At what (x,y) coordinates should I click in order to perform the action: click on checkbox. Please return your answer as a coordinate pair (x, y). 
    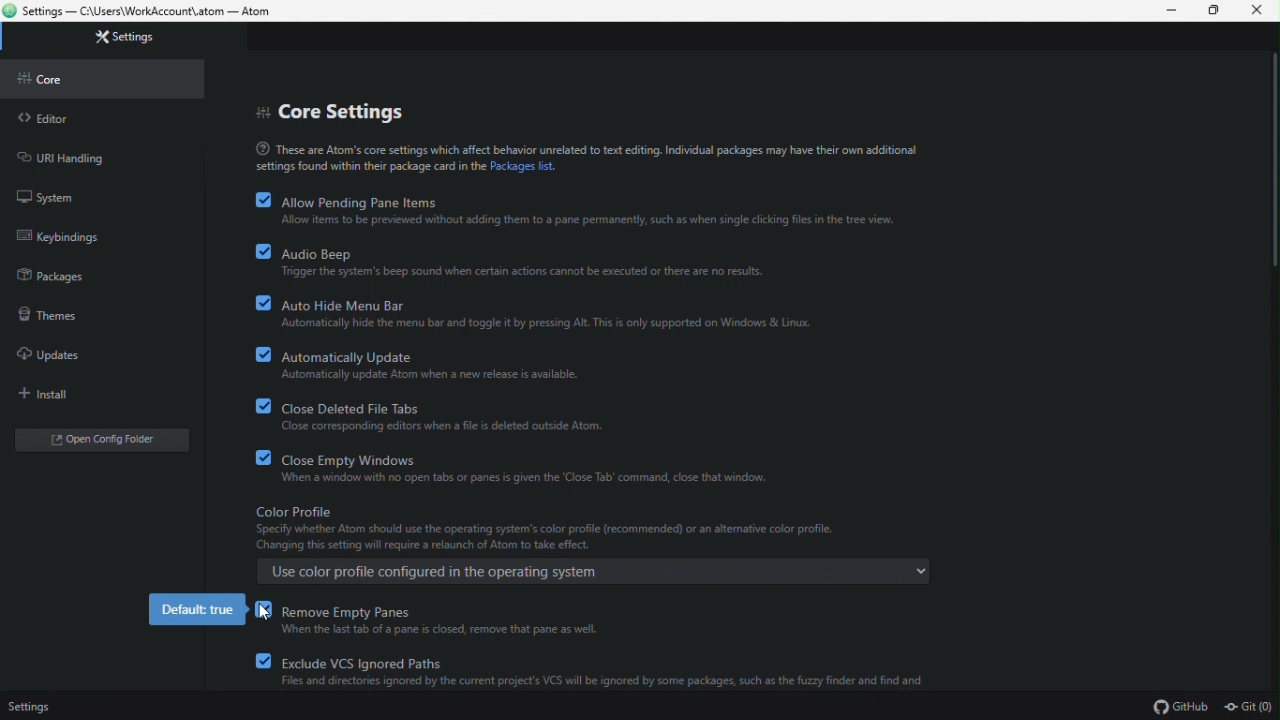
    Looking at the image, I should click on (254, 199).